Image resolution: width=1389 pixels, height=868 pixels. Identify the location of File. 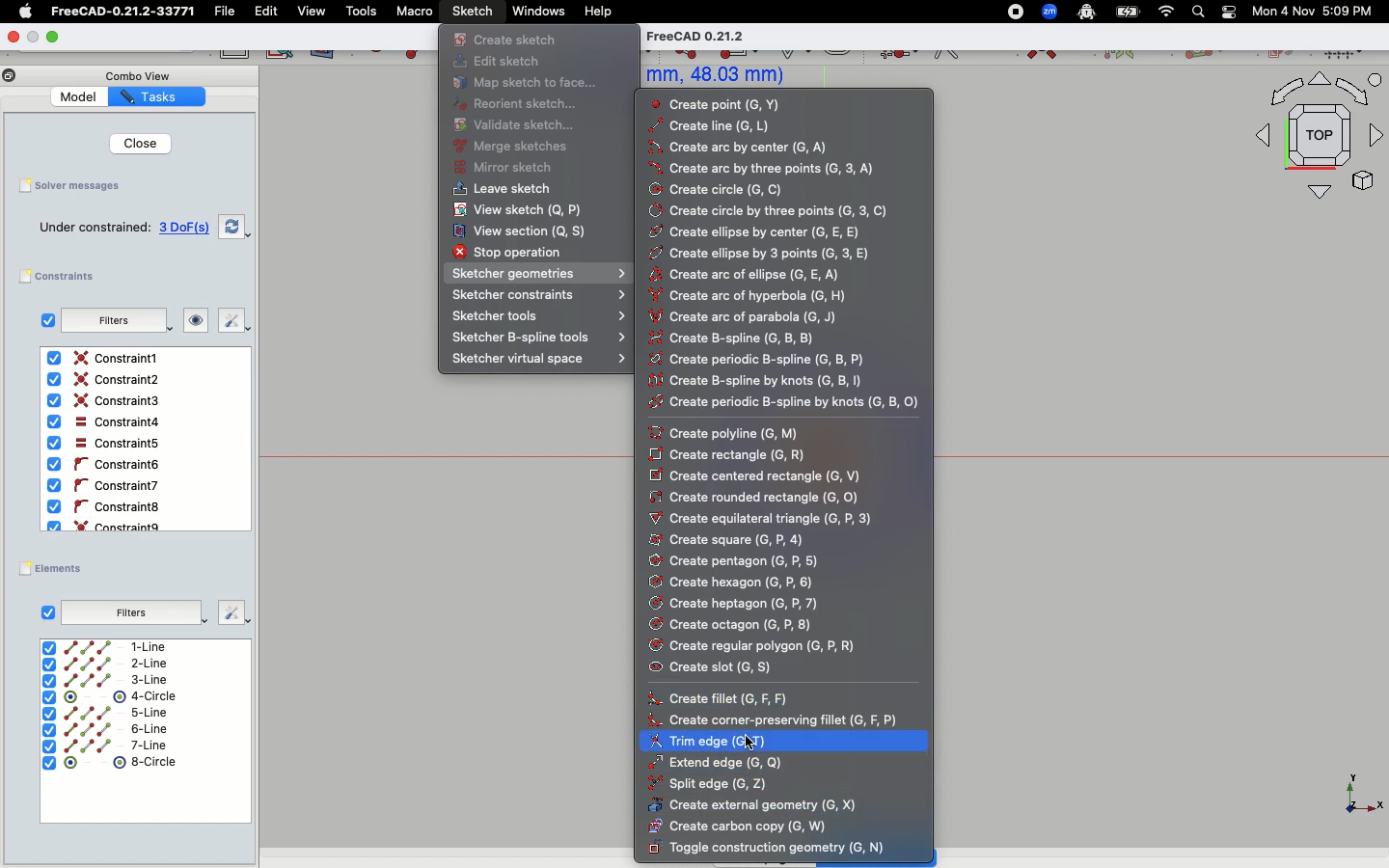
(227, 12).